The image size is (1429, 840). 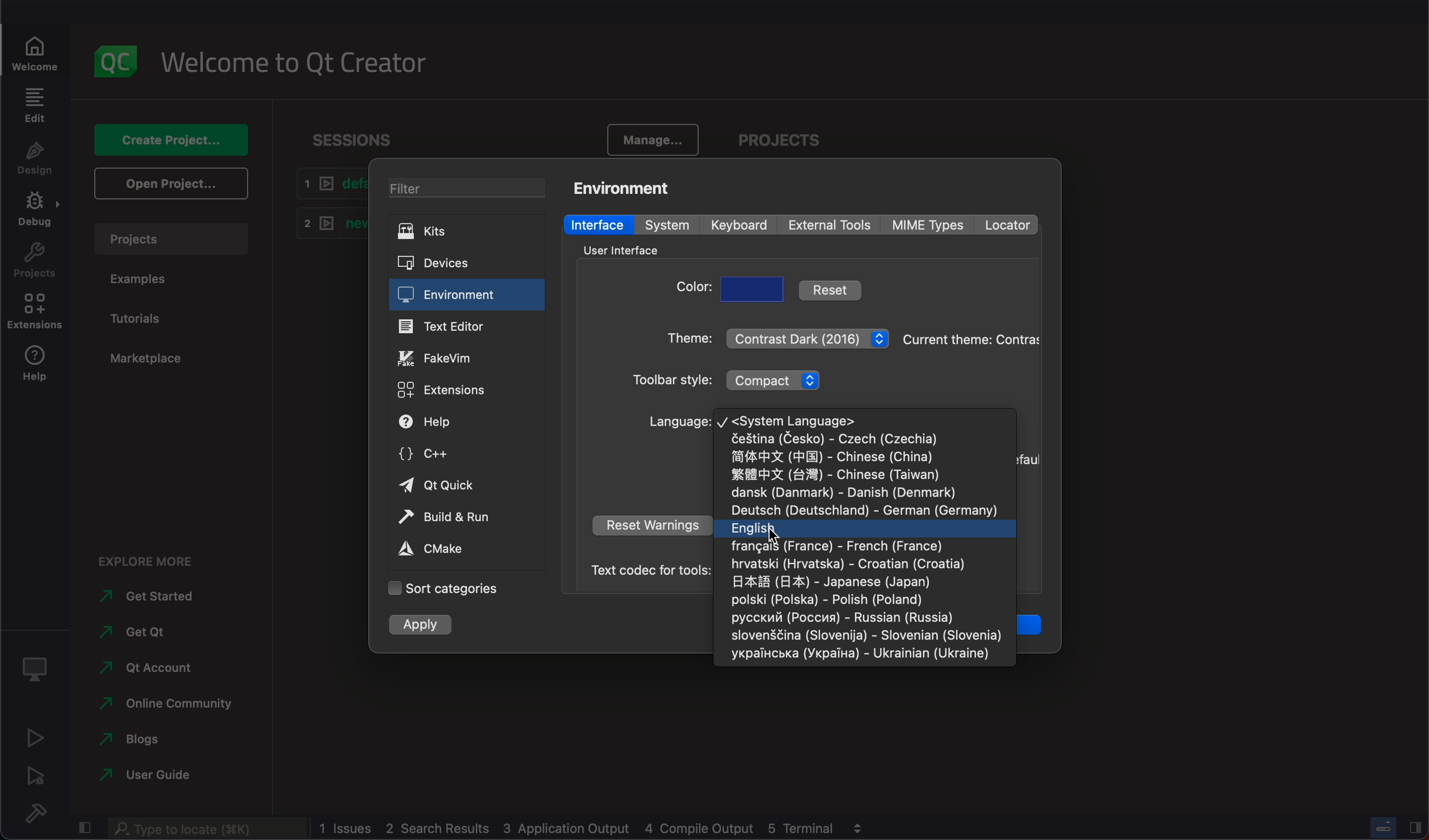 I want to click on c++, so click(x=467, y=455).